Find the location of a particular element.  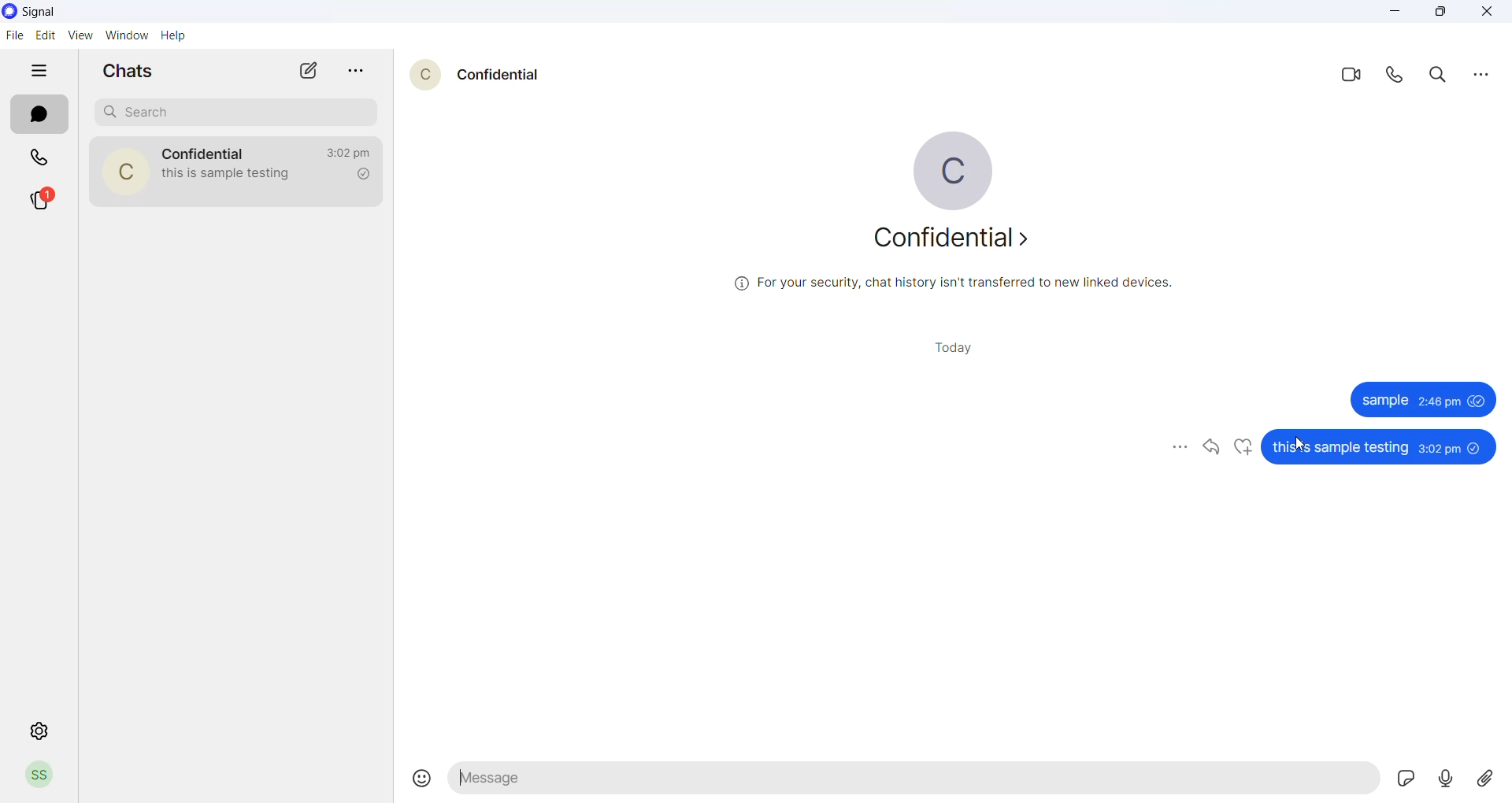

security information is located at coordinates (949, 285).